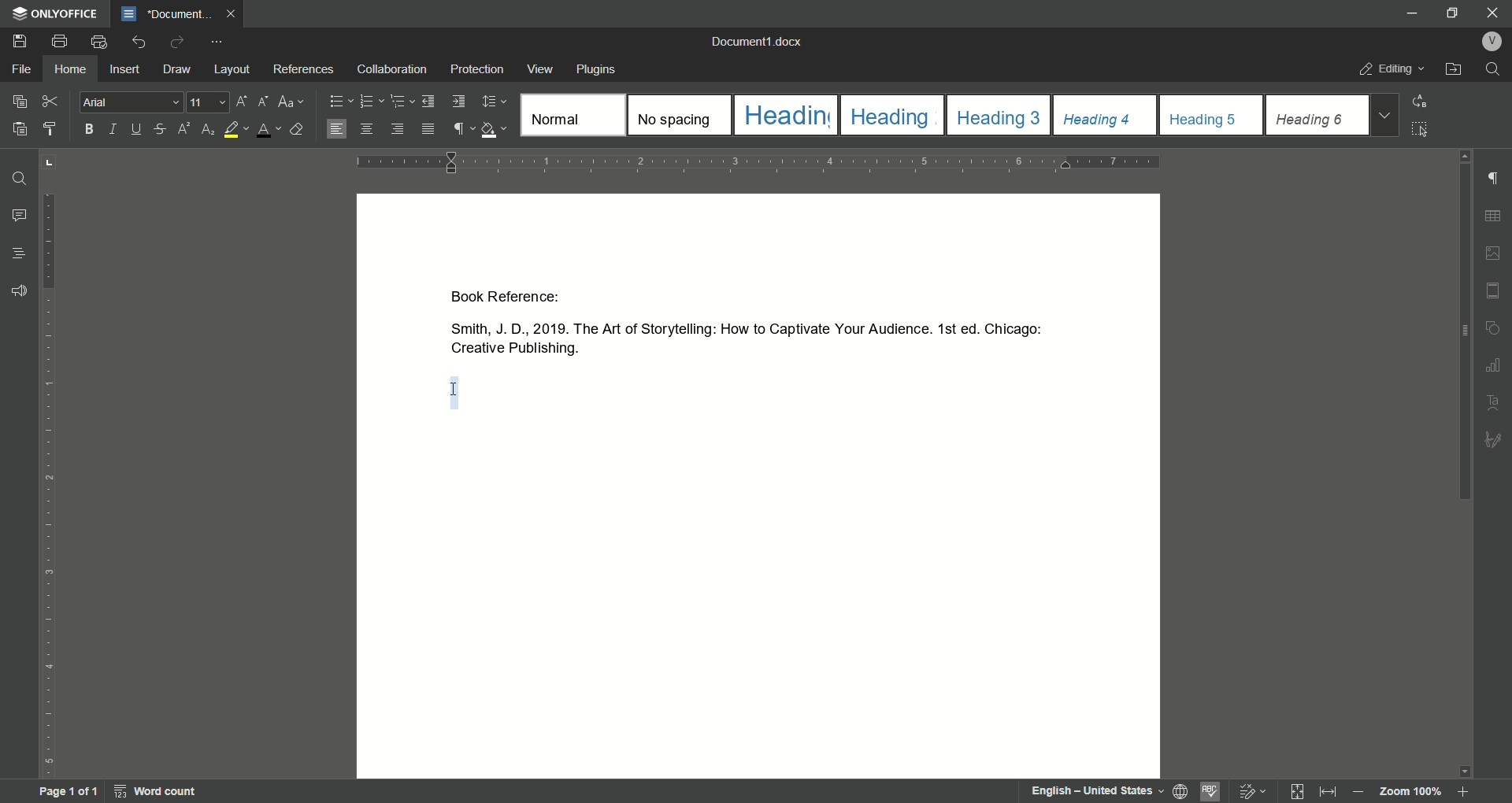 The width and height of the screenshot is (1512, 803). Describe the element at coordinates (757, 40) in the screenshot. I see `document name` at that location.